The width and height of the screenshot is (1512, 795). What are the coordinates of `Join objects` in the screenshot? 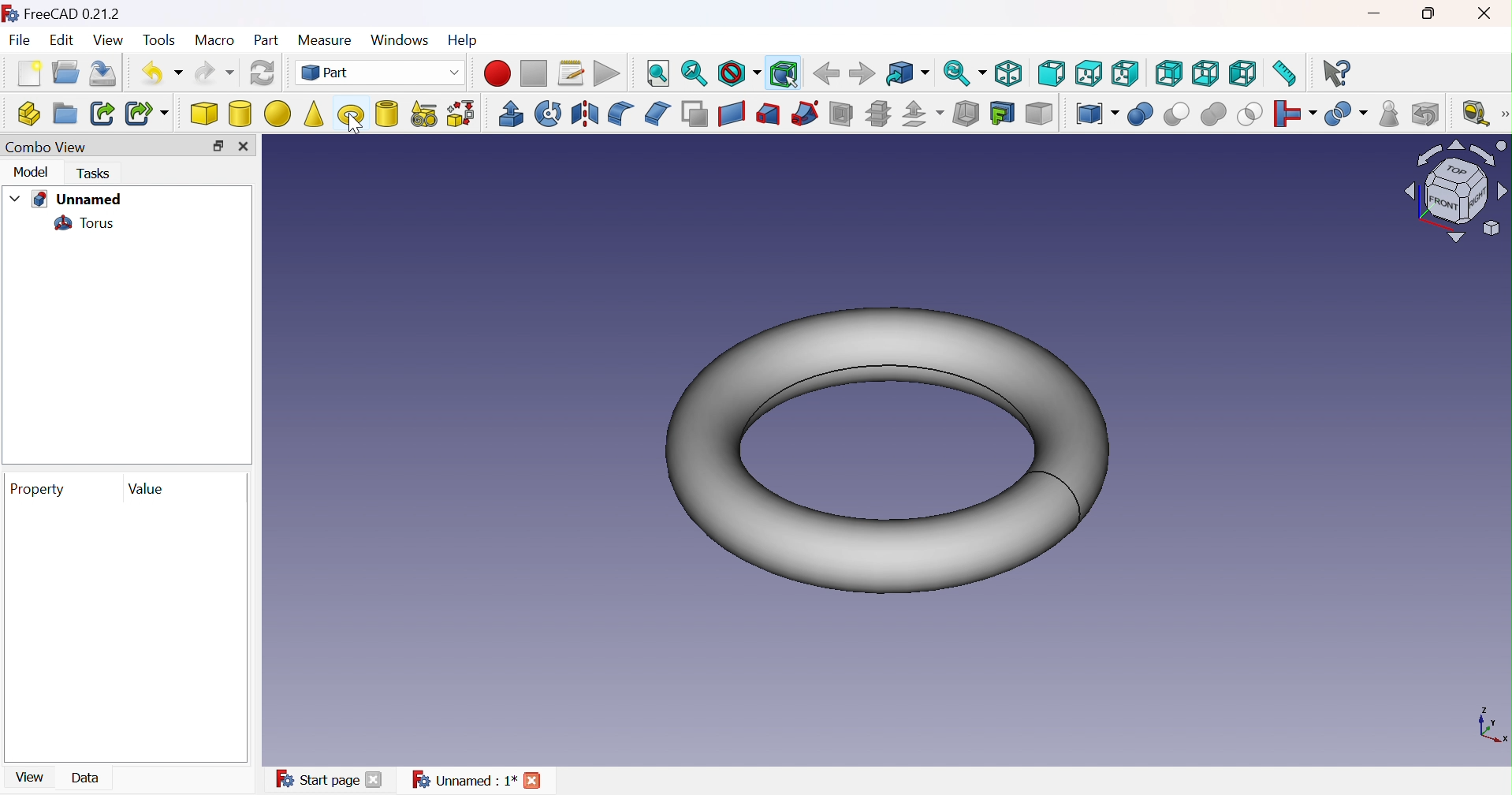 It's located at (1297, 116).